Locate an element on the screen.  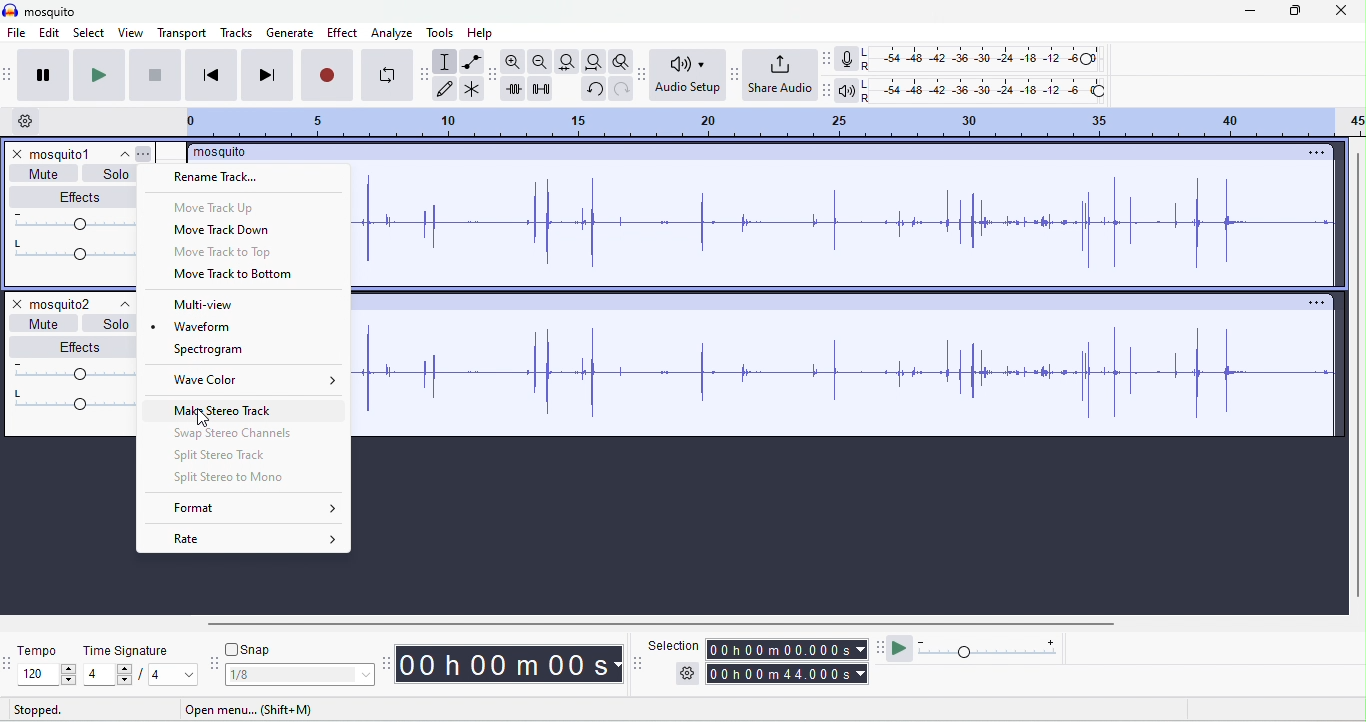
selection is located at coordinates (675, 644).